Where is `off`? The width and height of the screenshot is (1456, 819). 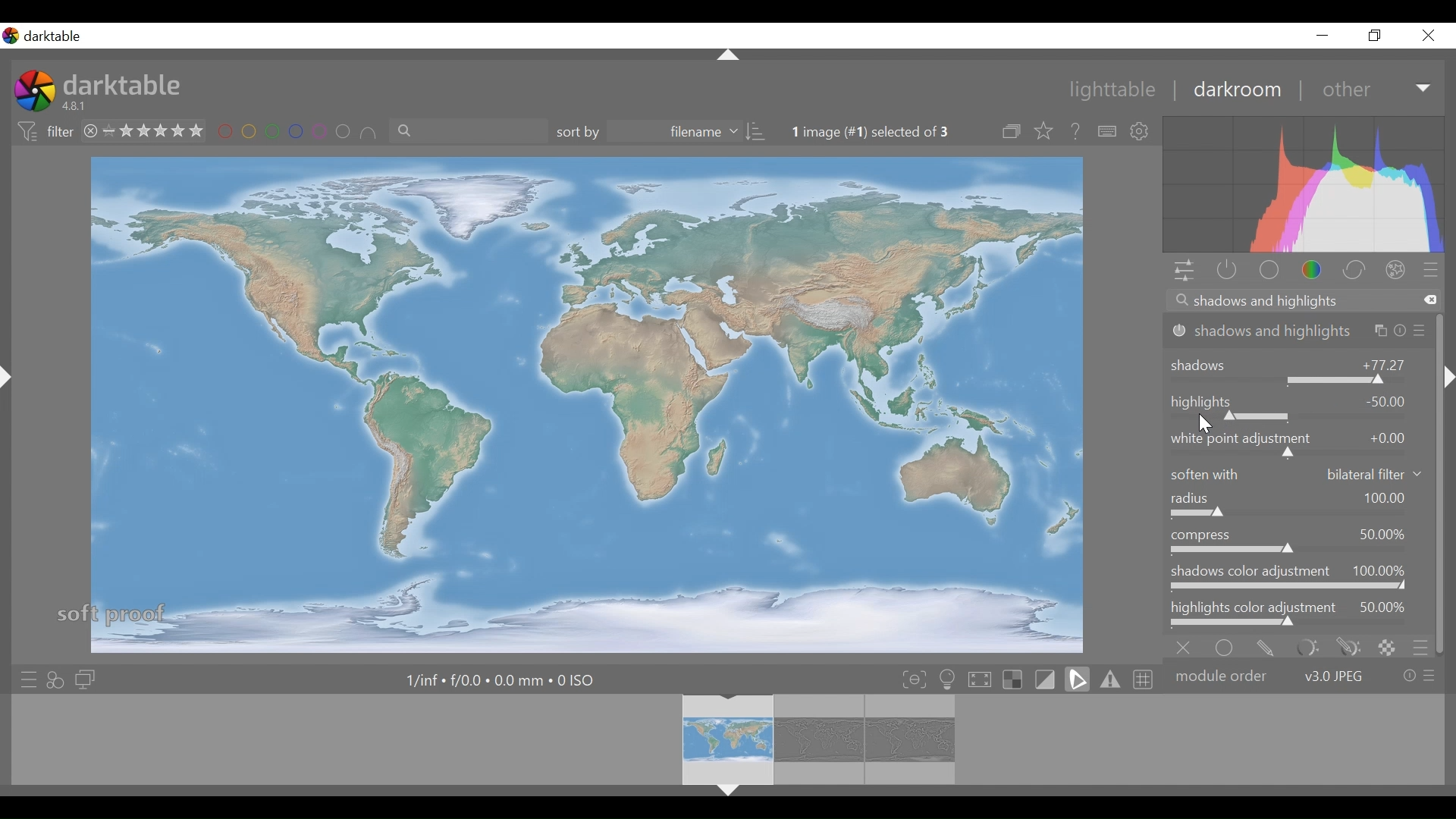
off is located at coordinates (1187, 646).